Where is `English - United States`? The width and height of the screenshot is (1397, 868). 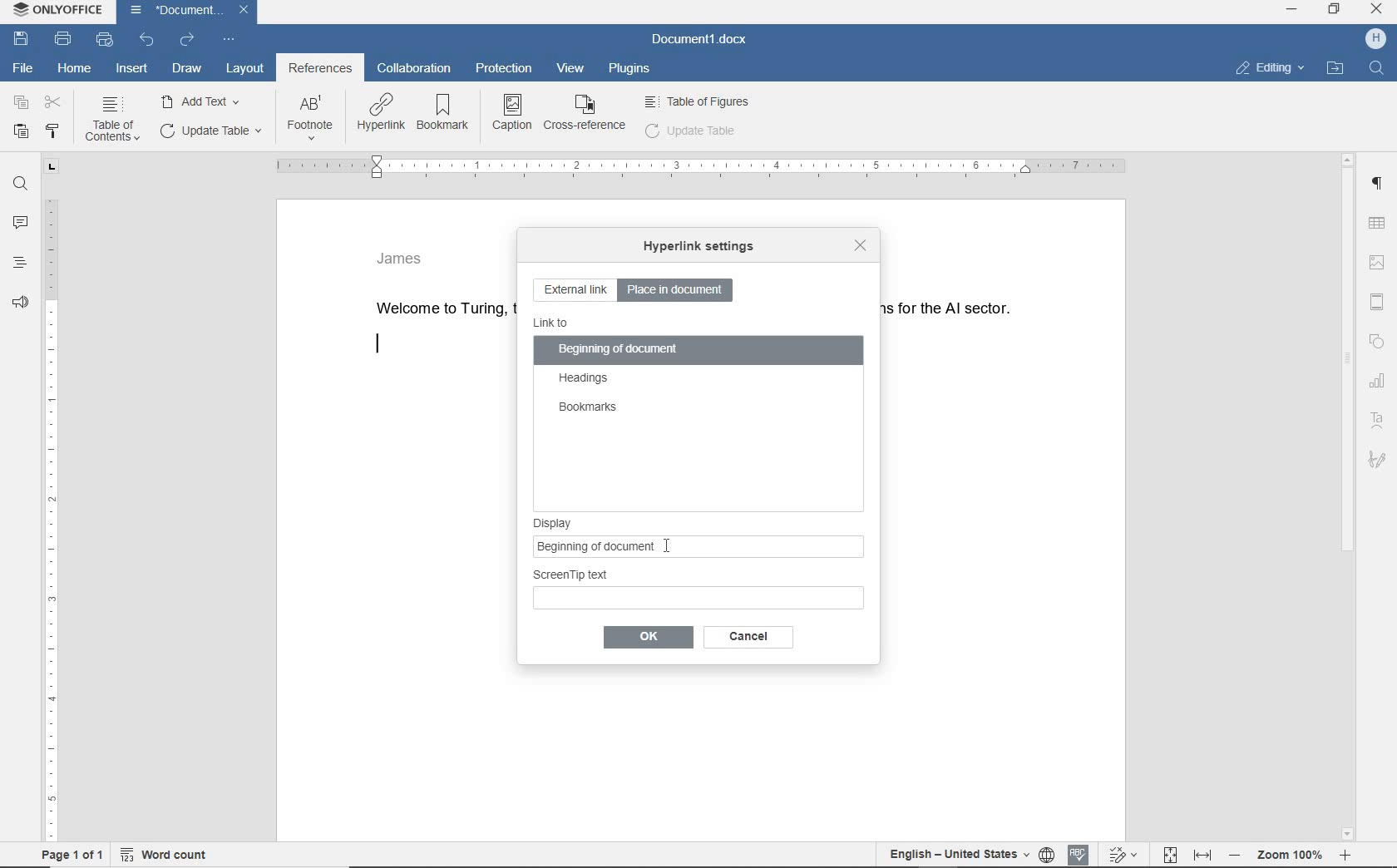 English - United States is located at coordinates (949, 856).